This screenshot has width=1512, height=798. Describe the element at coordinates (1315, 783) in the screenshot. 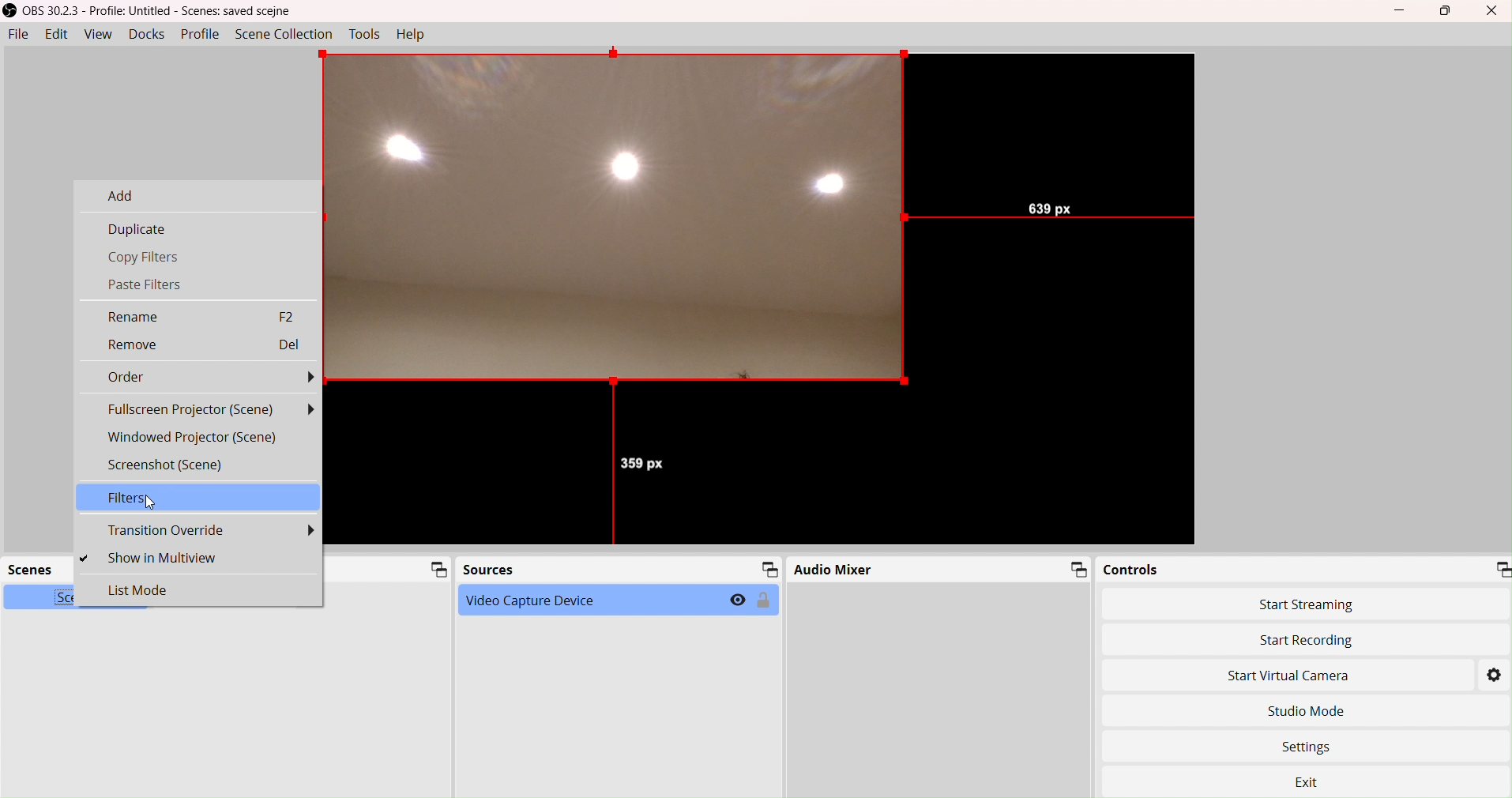

I see `Exit` at that location.